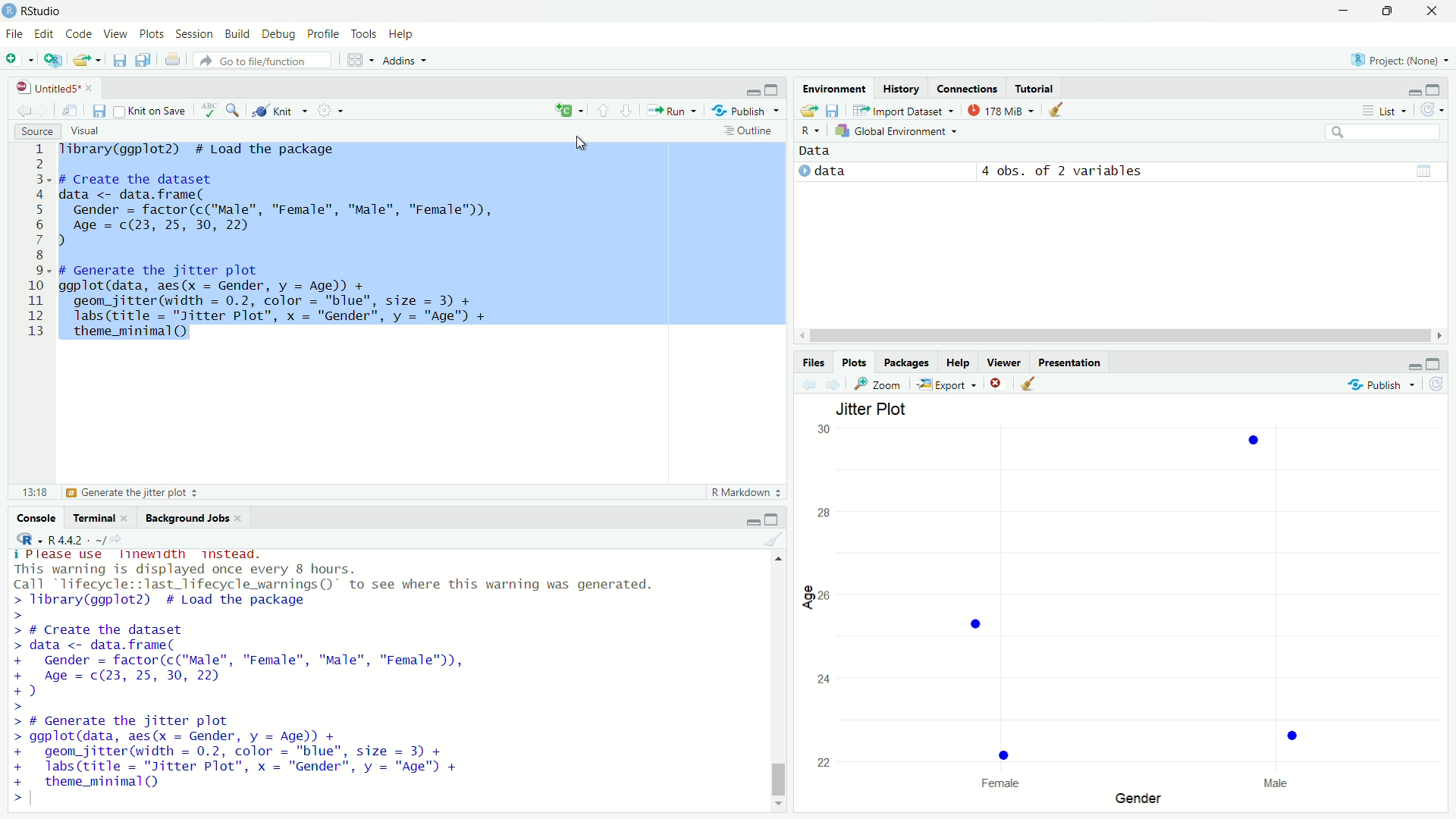 The width and height of the screenshot is (1456, 819). What do you see at coordinates (129, 517) in the screenshot?
I see `close` at bounding box center [129, 517].